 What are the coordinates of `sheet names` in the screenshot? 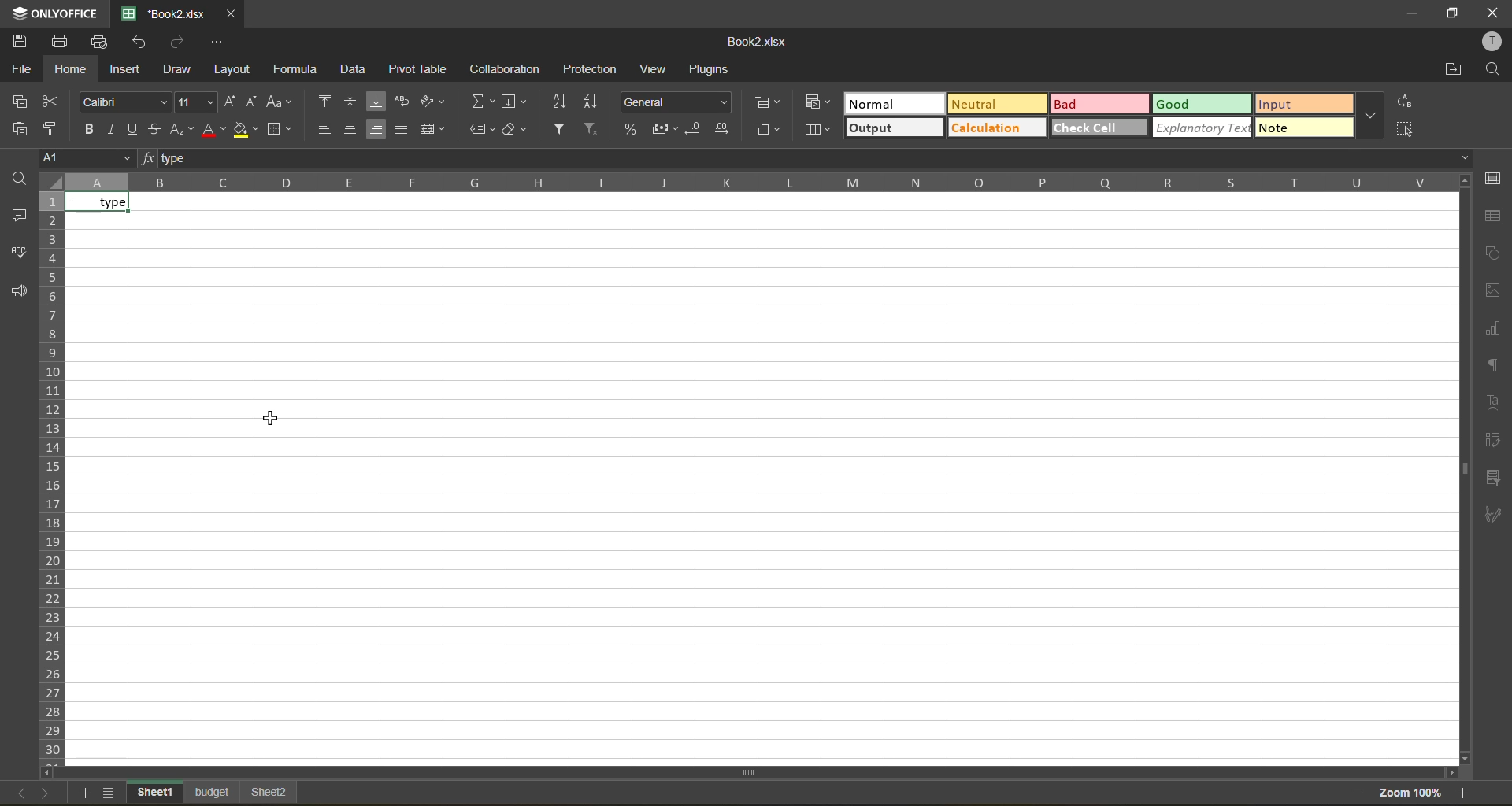 It's located at (213, 794).